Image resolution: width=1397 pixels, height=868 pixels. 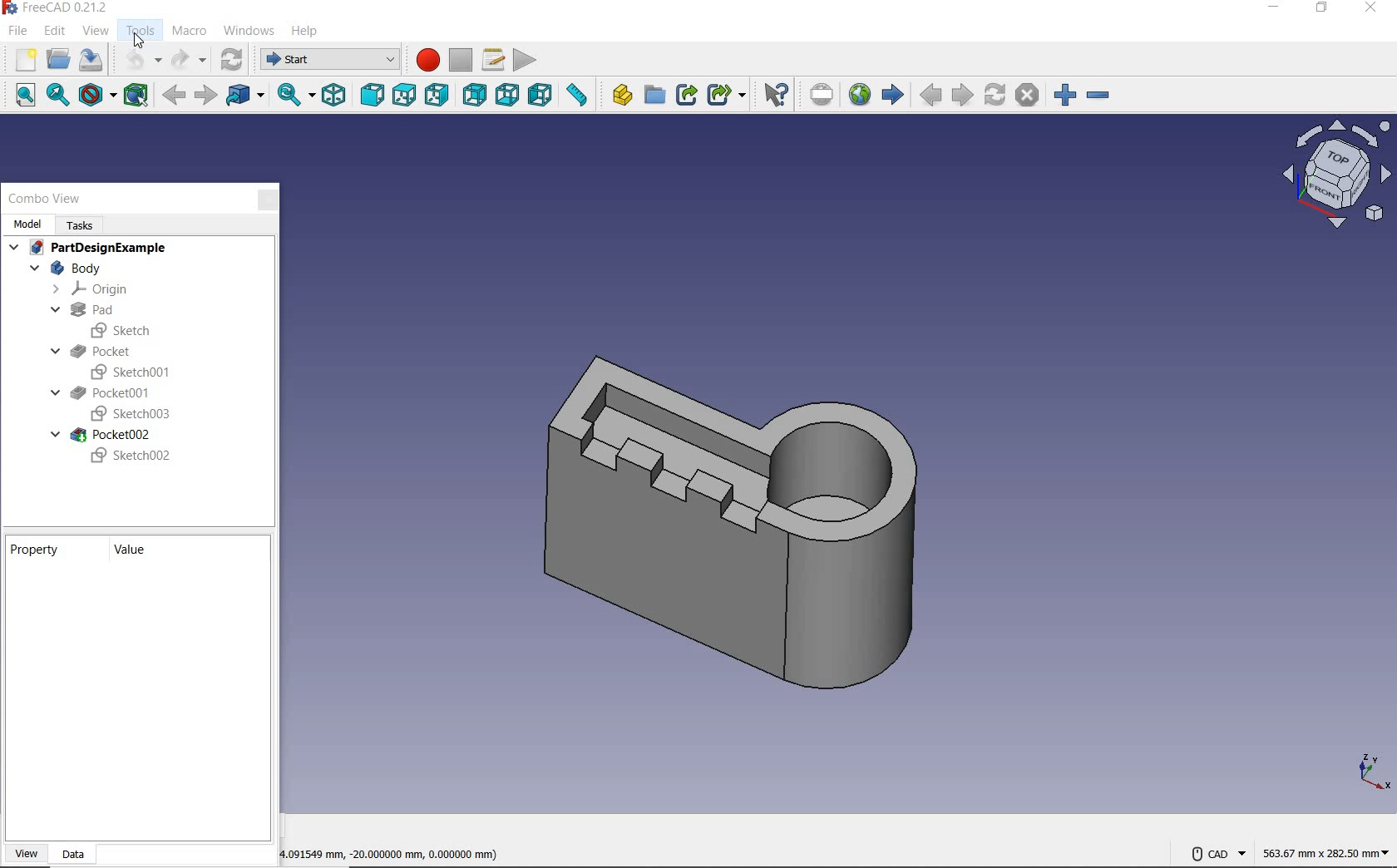 What do you see at coordinates (1322, 847) in the screenshot?
I see `563.67 mm x 282.50 mm (Dimensions)` at bounding box center [1322, 847].